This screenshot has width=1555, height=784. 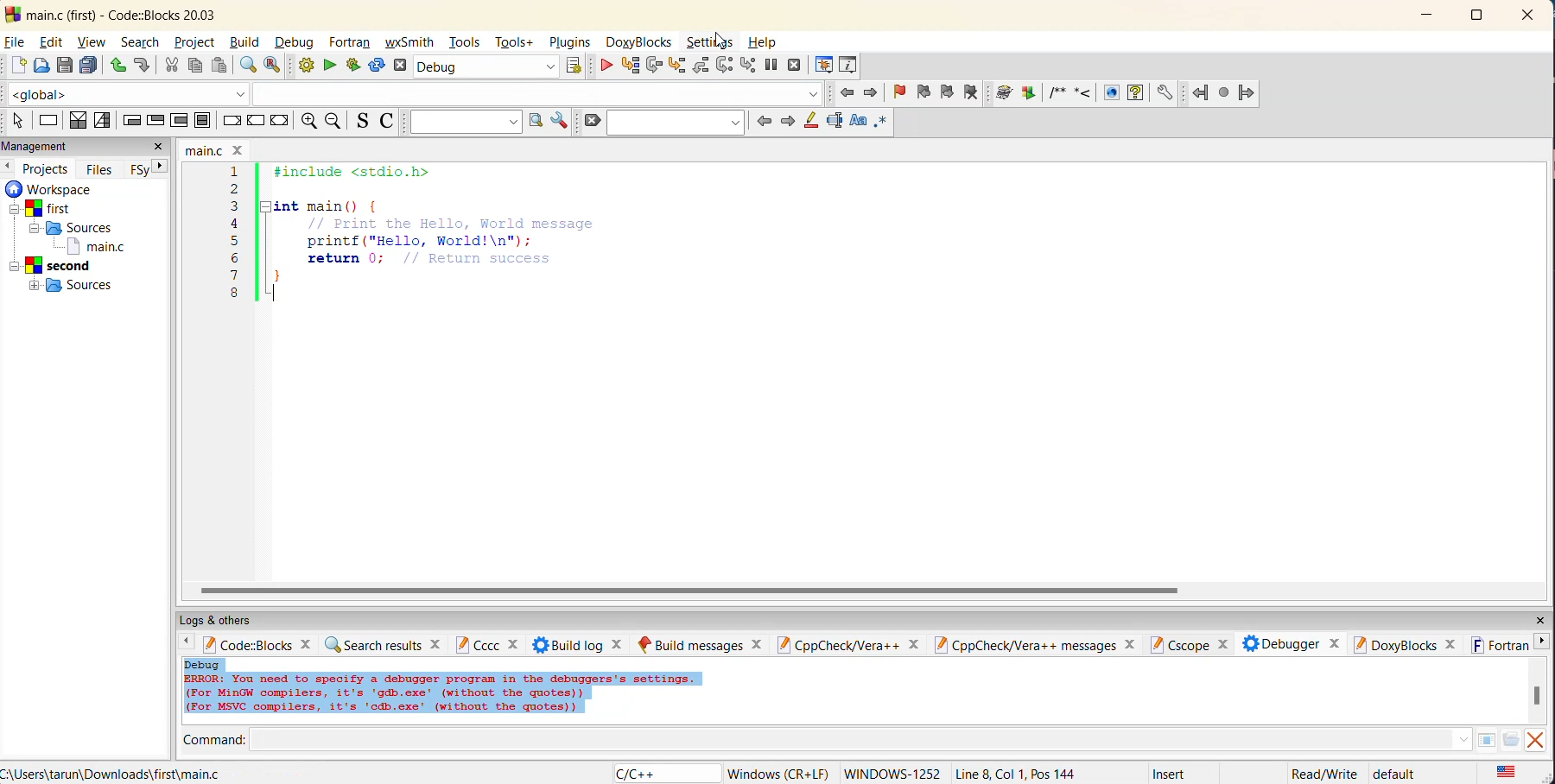 What do you see at coordinates (1198, 93) in the screenshot?
I see `Jump back` at bounding box center [1198, 93].